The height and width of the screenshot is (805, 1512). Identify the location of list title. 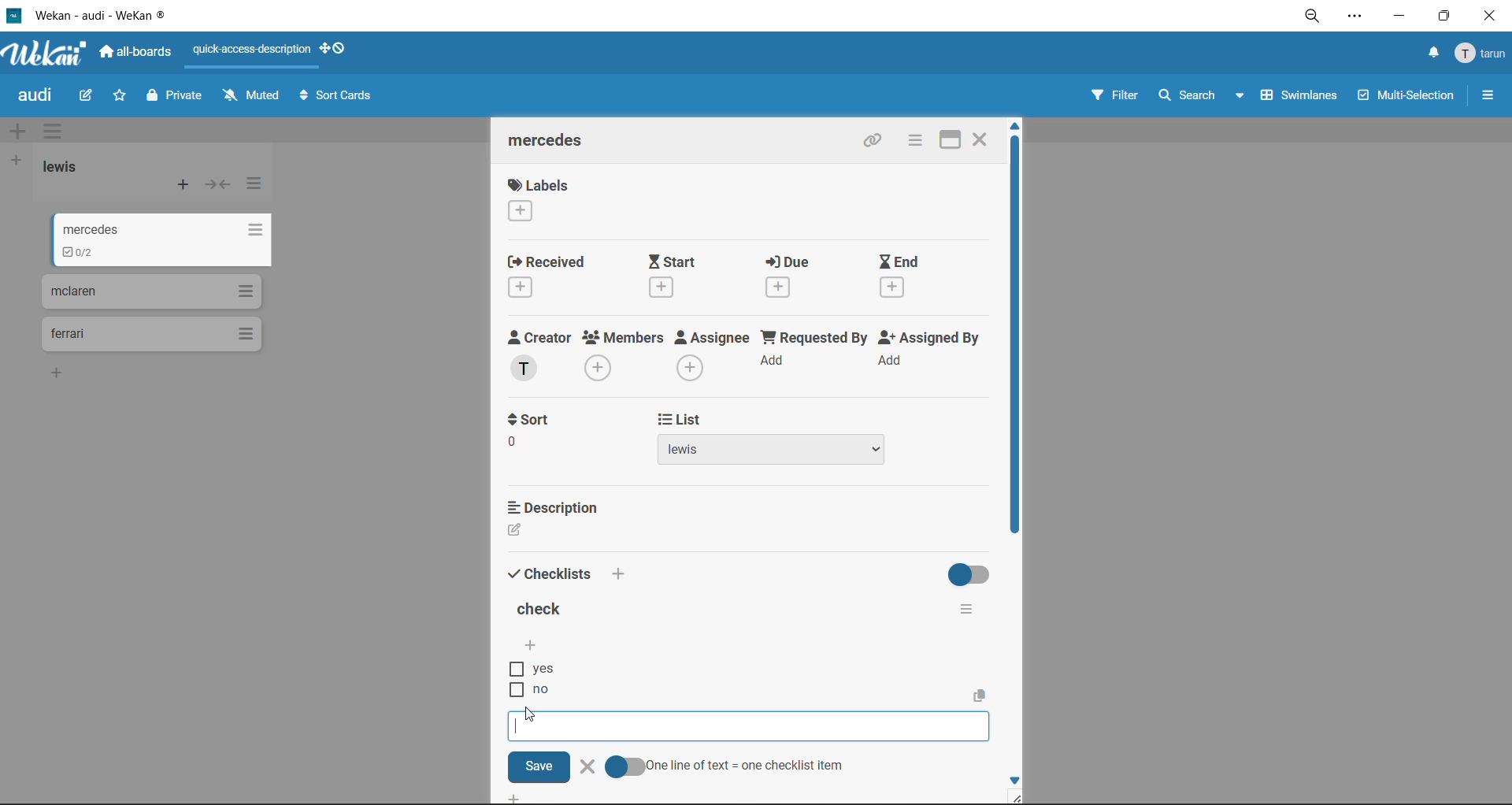
(65, 169).